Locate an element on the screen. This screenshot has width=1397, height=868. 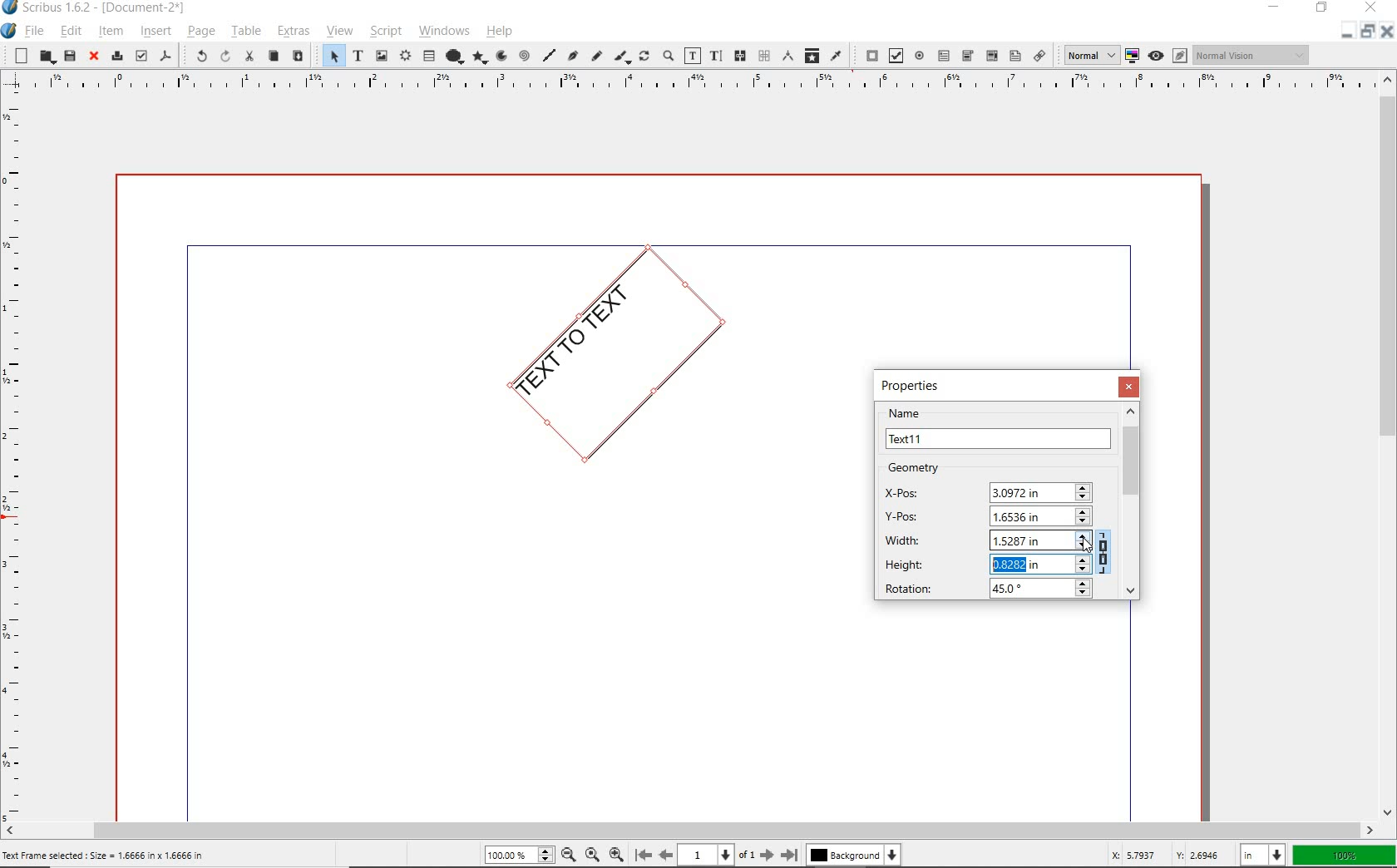
insert is located at coordinates (155, 31).